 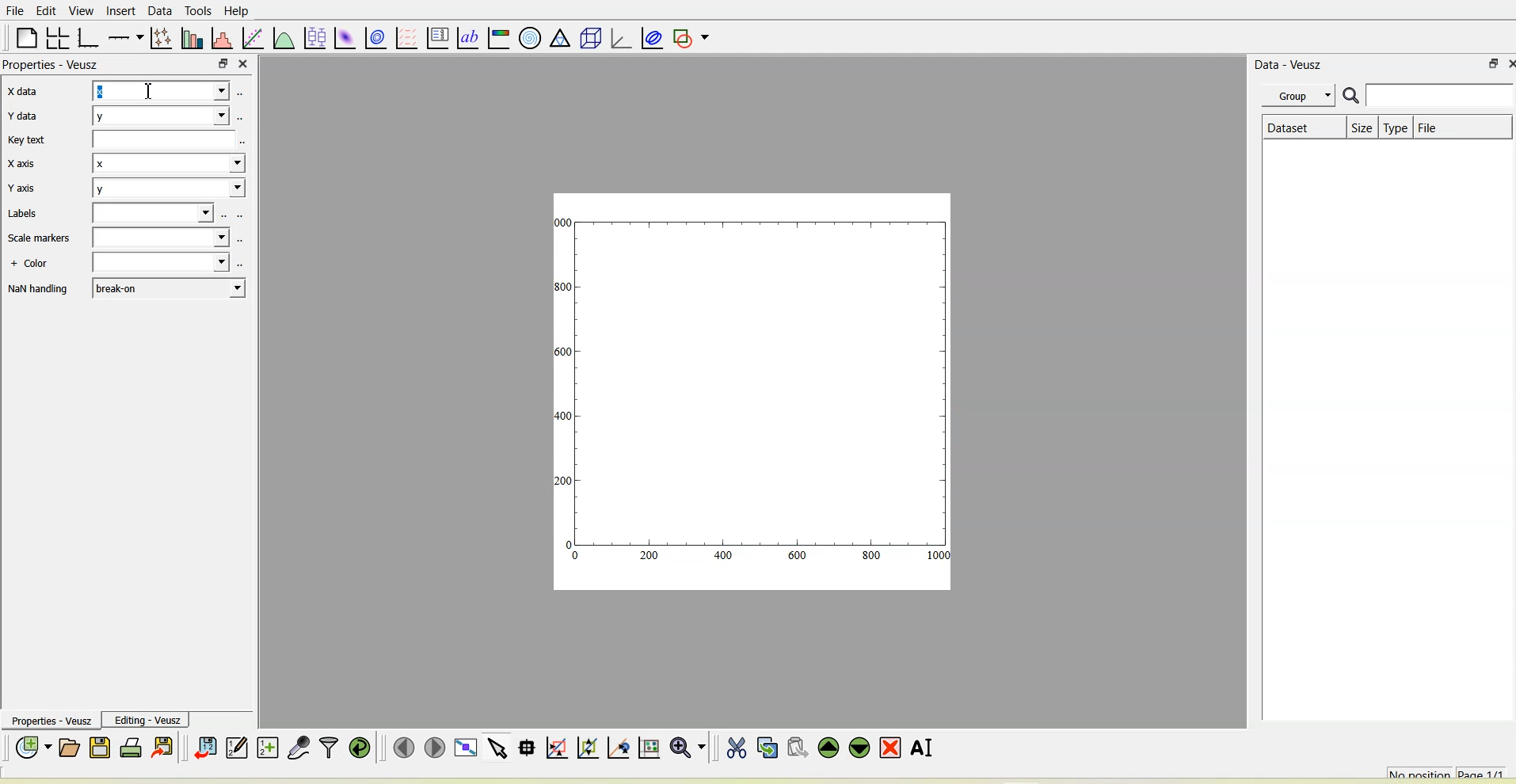 What do you see at coordinates (648, 748) in the screenshot?
I see `Click to reset graph axes` at bounding box center [648, 748].